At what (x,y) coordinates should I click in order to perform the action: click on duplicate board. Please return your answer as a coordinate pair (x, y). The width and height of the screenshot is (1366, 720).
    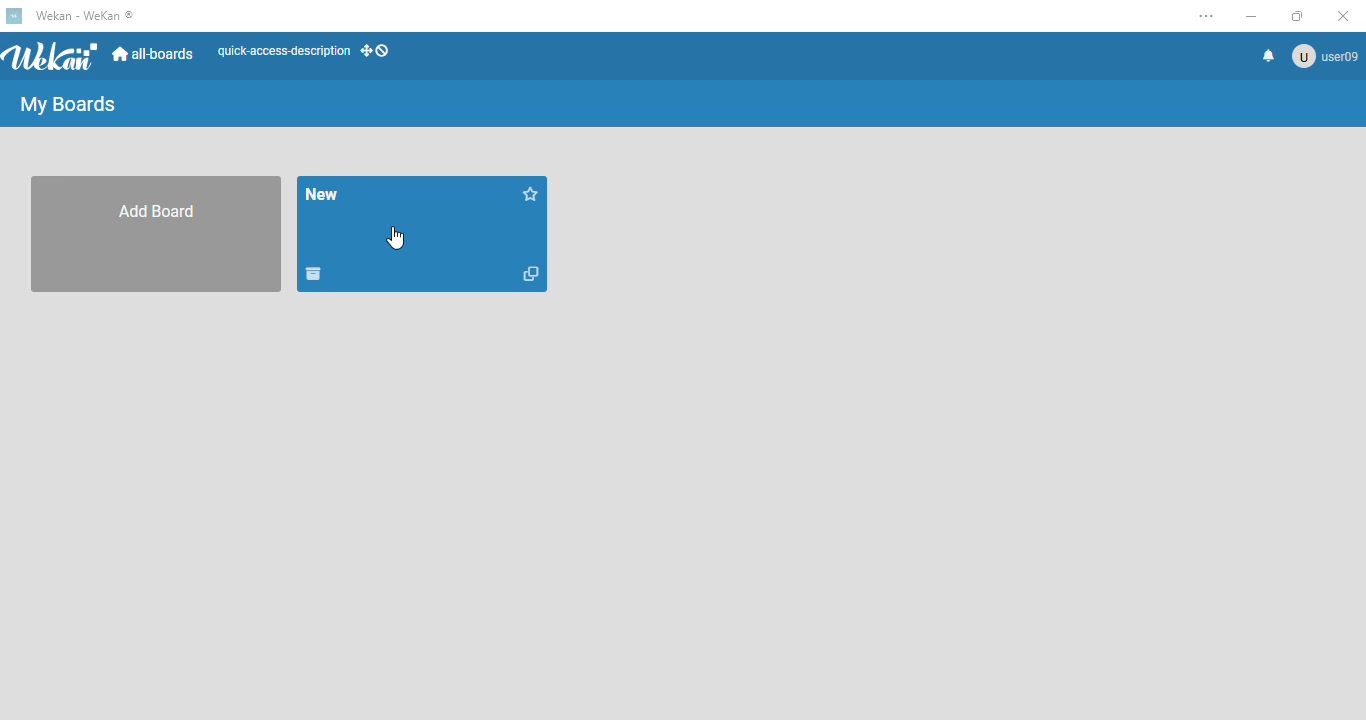
    Looking at the image, I should click on (531, 274).